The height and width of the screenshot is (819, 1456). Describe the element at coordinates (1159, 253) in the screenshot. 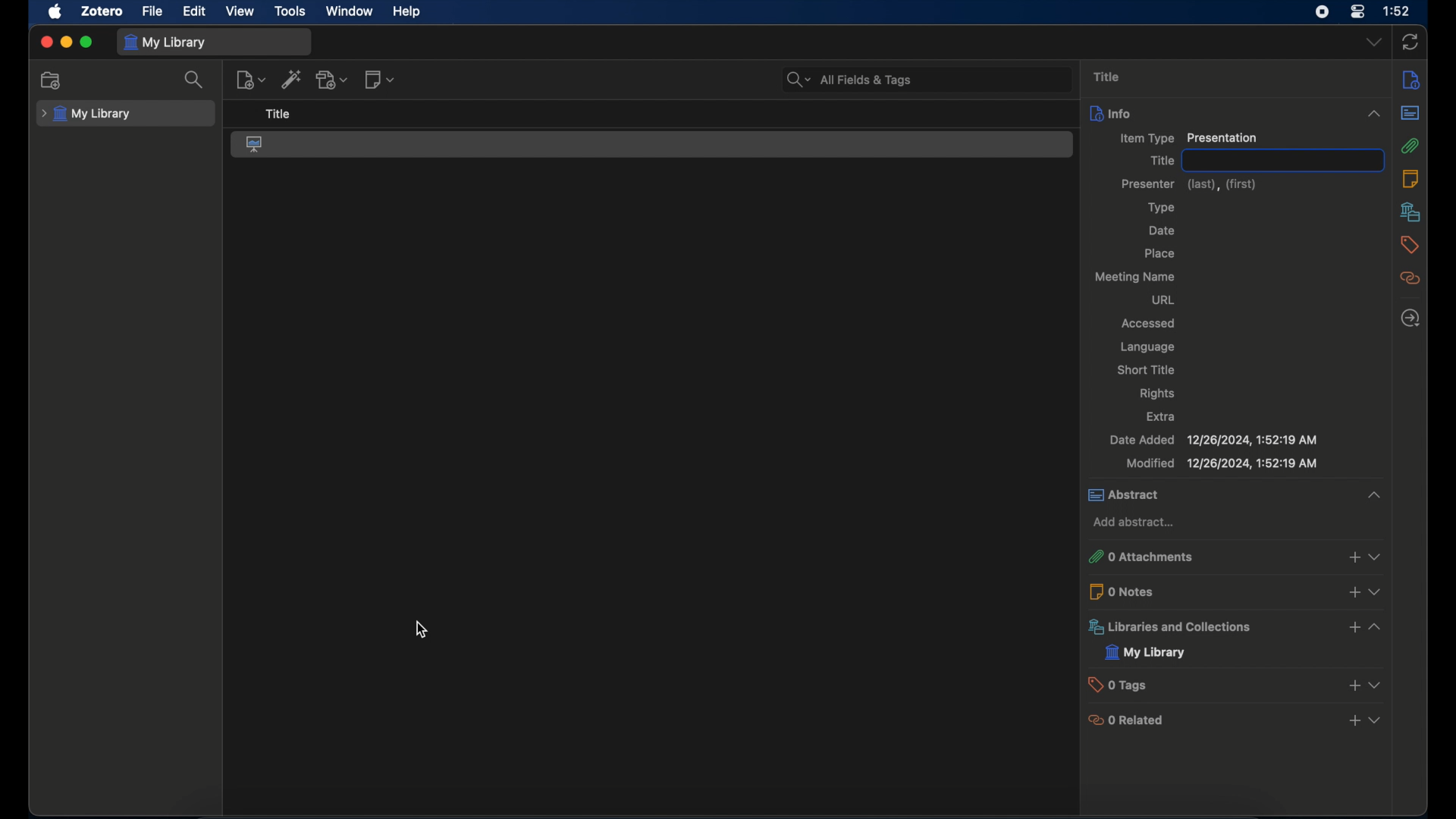

I see `place` at that location.